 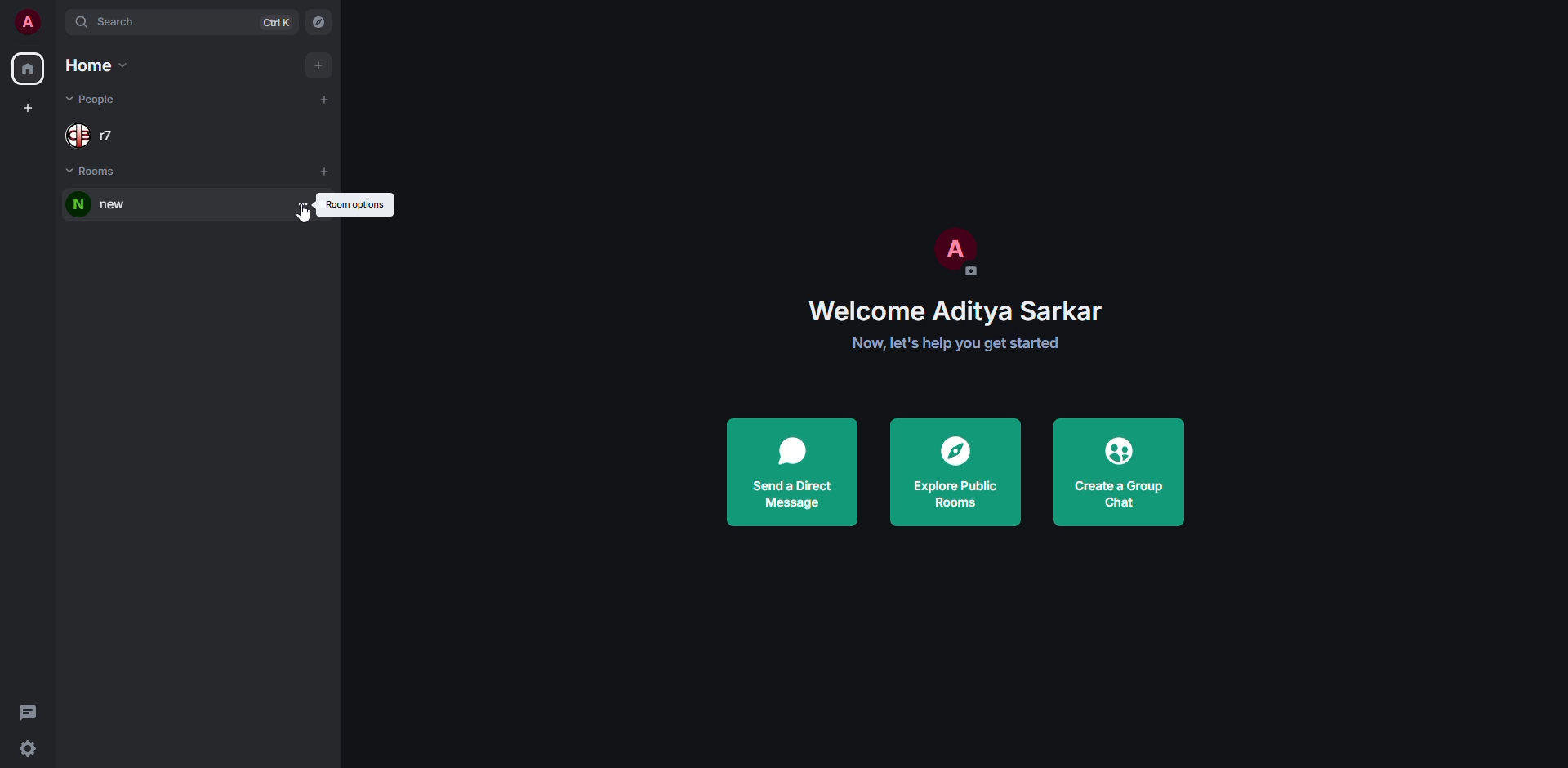 I want to click on add, so click(x=325, y=98).